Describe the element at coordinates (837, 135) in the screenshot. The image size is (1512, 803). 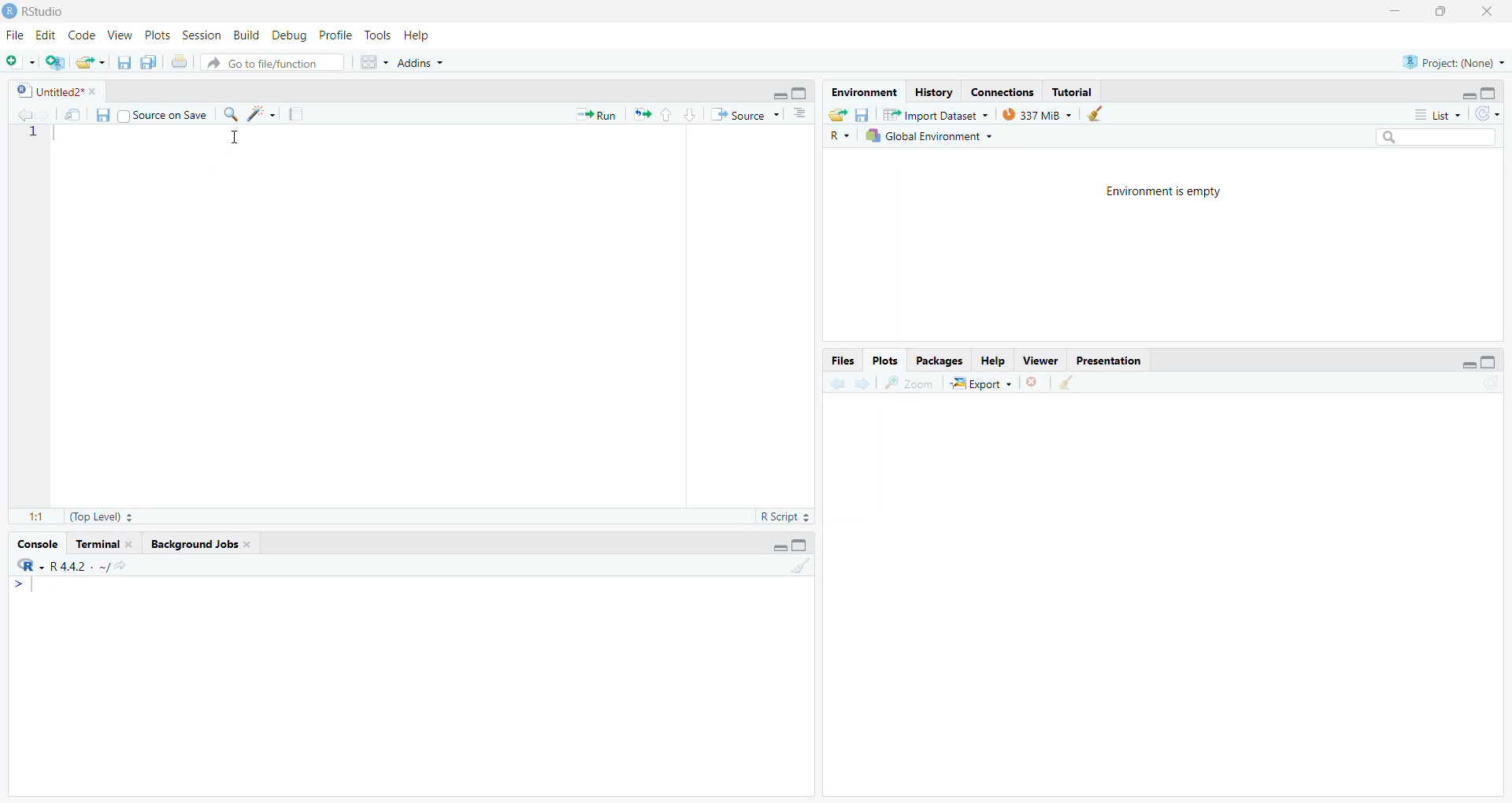
I see `R` at that location.